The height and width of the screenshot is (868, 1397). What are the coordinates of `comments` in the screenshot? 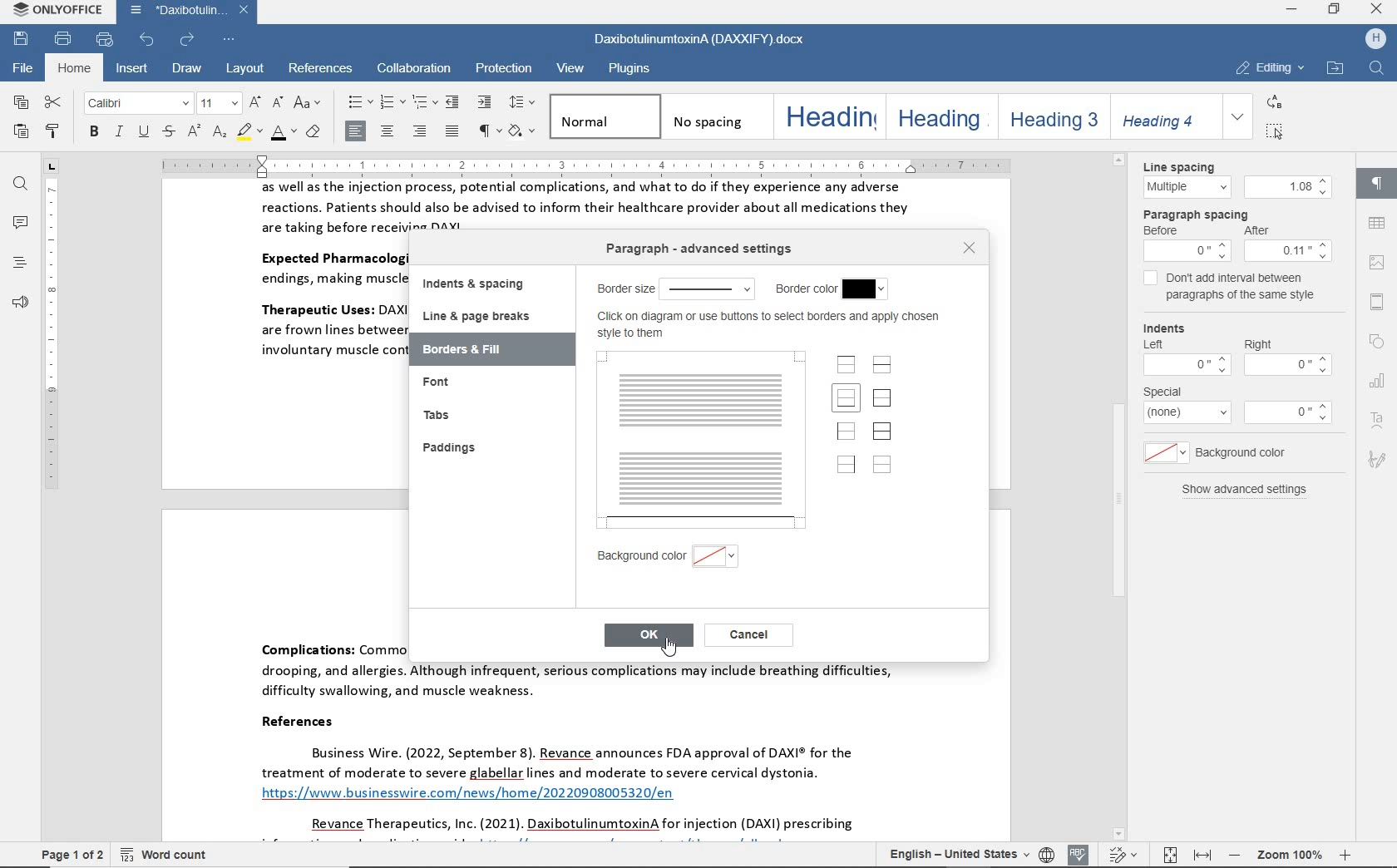 It's located at (19, 223).